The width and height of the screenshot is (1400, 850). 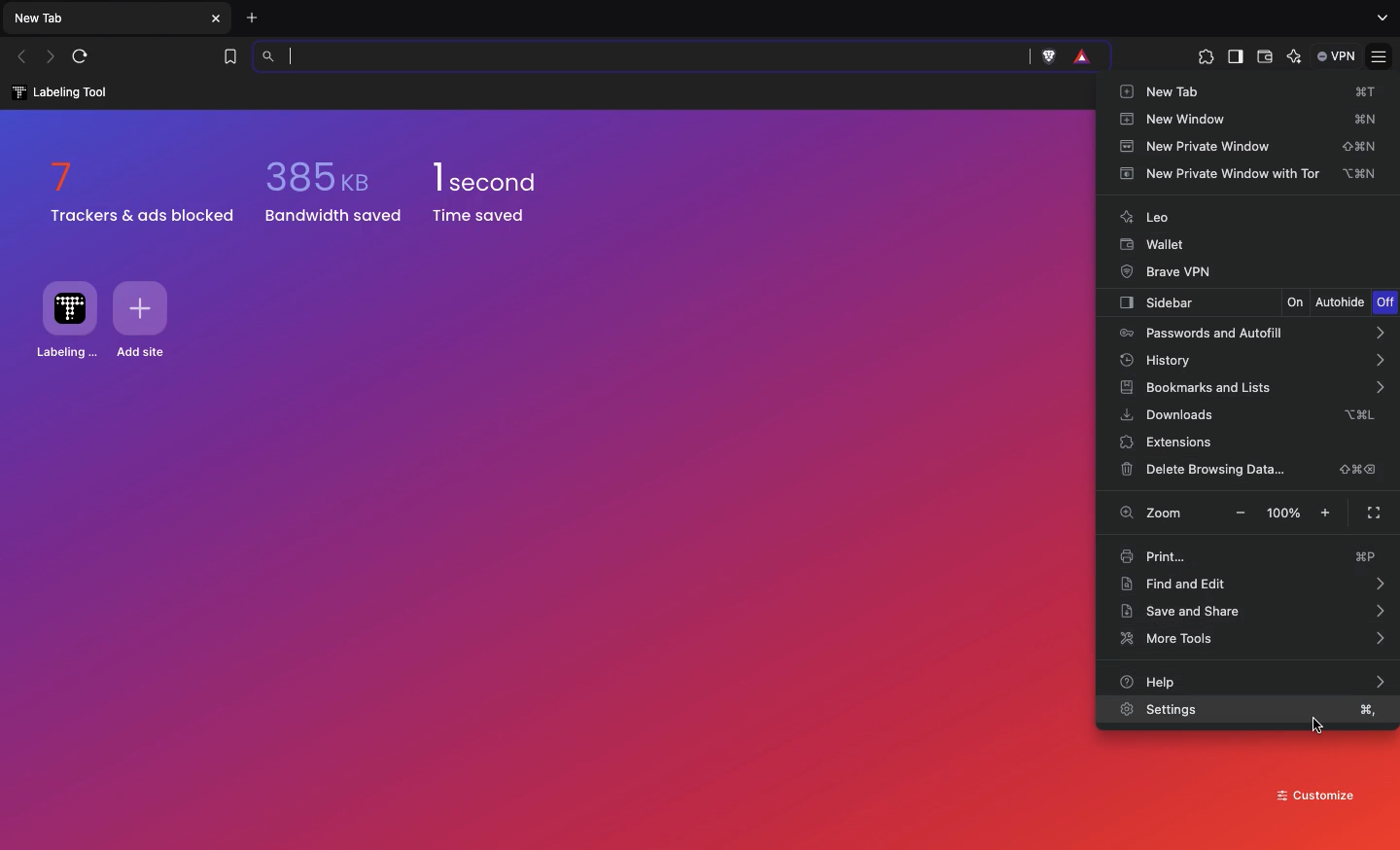 I want to click on make text bigger, so click(x=1327, y=514).